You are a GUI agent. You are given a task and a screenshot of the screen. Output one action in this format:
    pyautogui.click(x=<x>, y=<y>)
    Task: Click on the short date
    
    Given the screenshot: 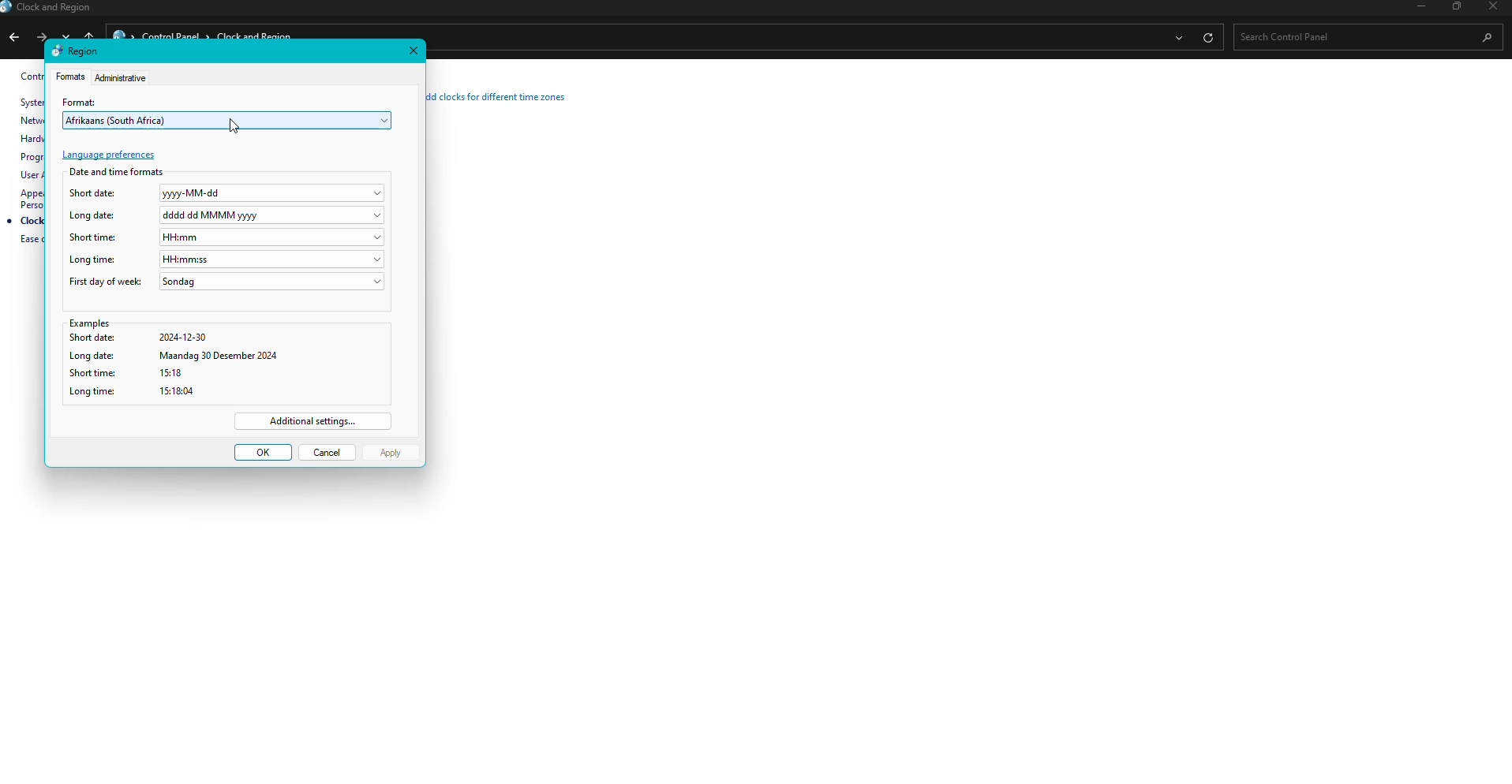 What is the action you would take?
    pyautogui.click(x=226, y=339)
    